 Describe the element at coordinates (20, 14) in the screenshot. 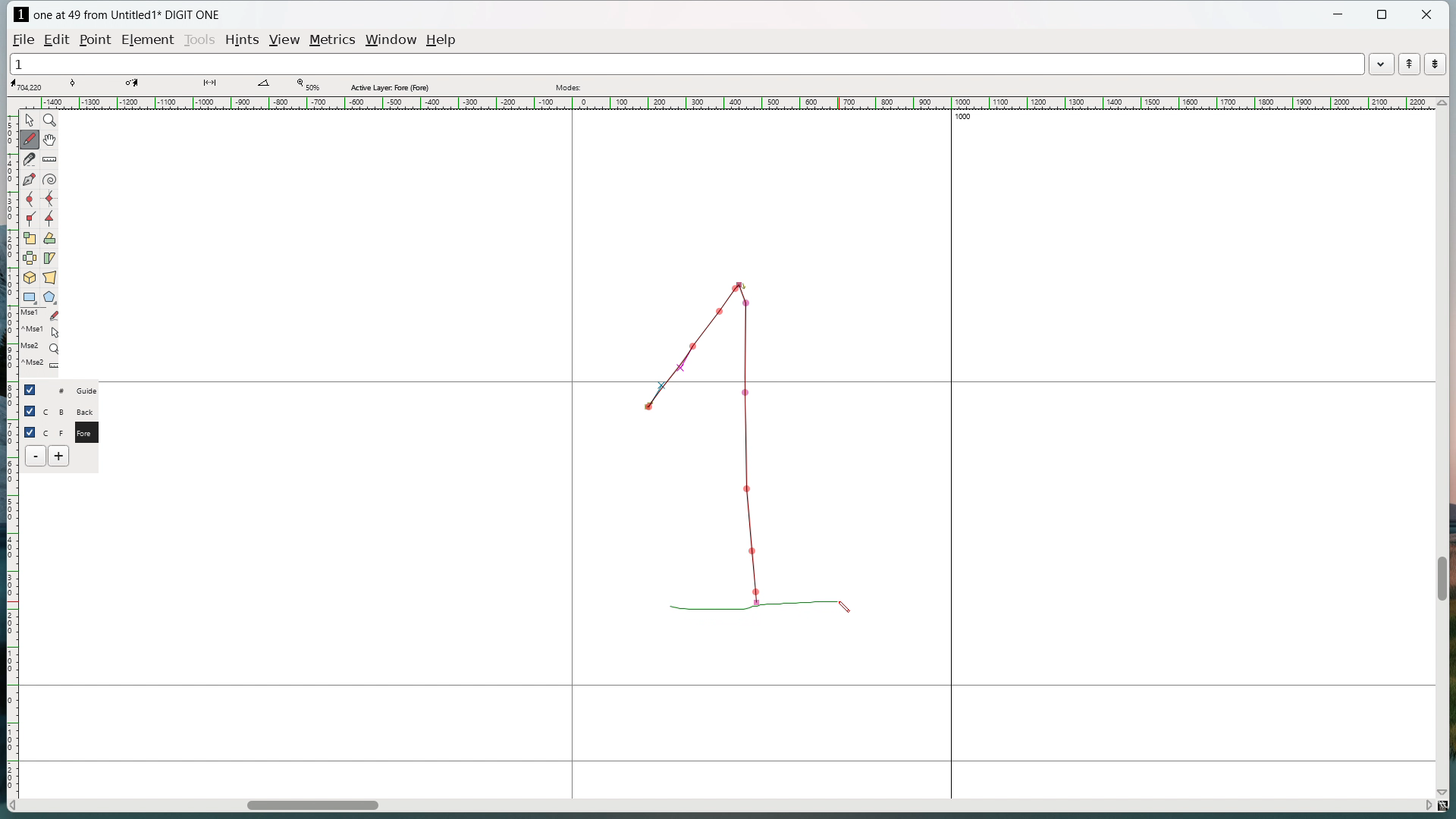

I see `logo` at that location.